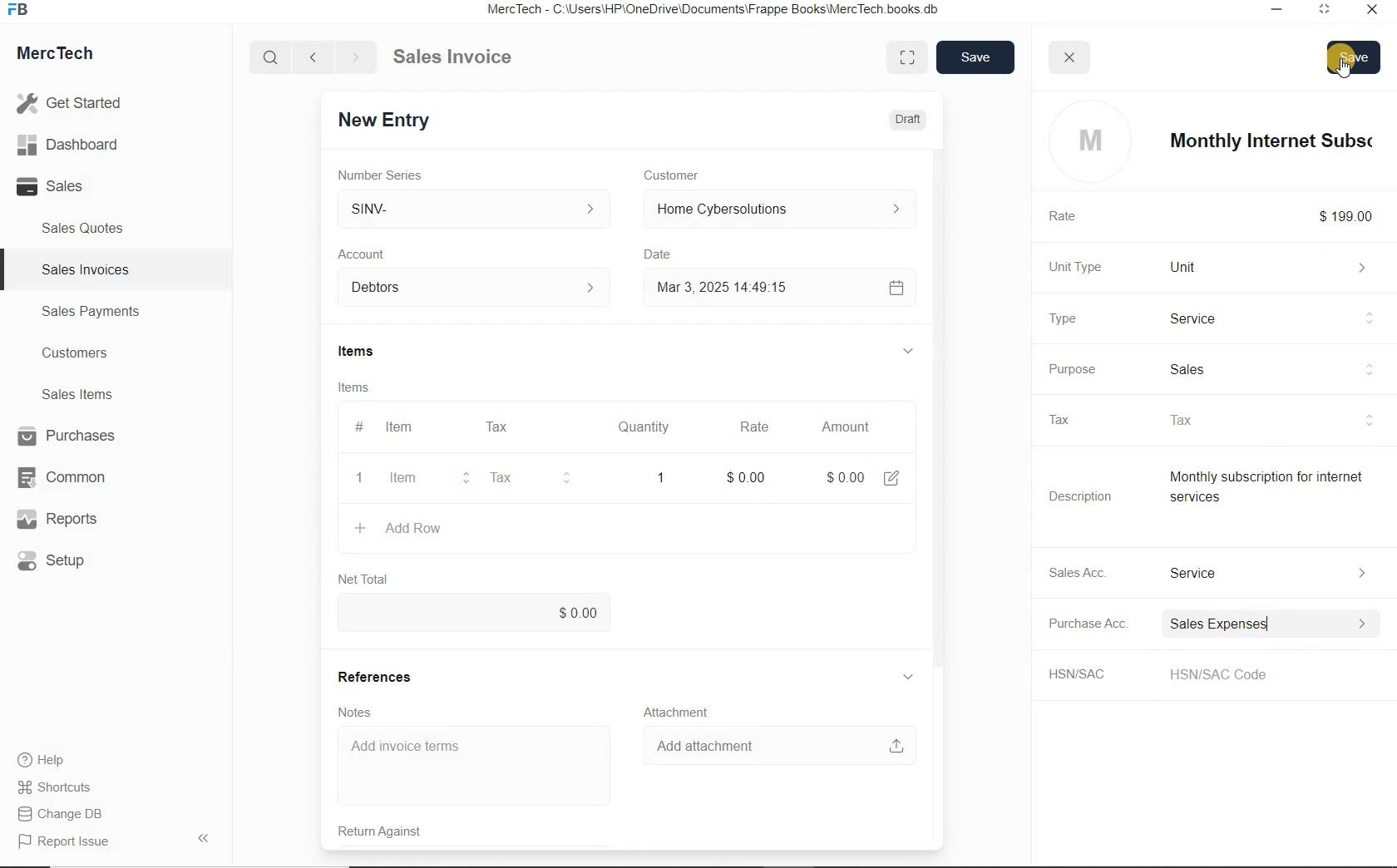 The image size is (1397, 868). Describe the element at coordinates (1266, 624) in the screenshot. I see `Expense` at that location.